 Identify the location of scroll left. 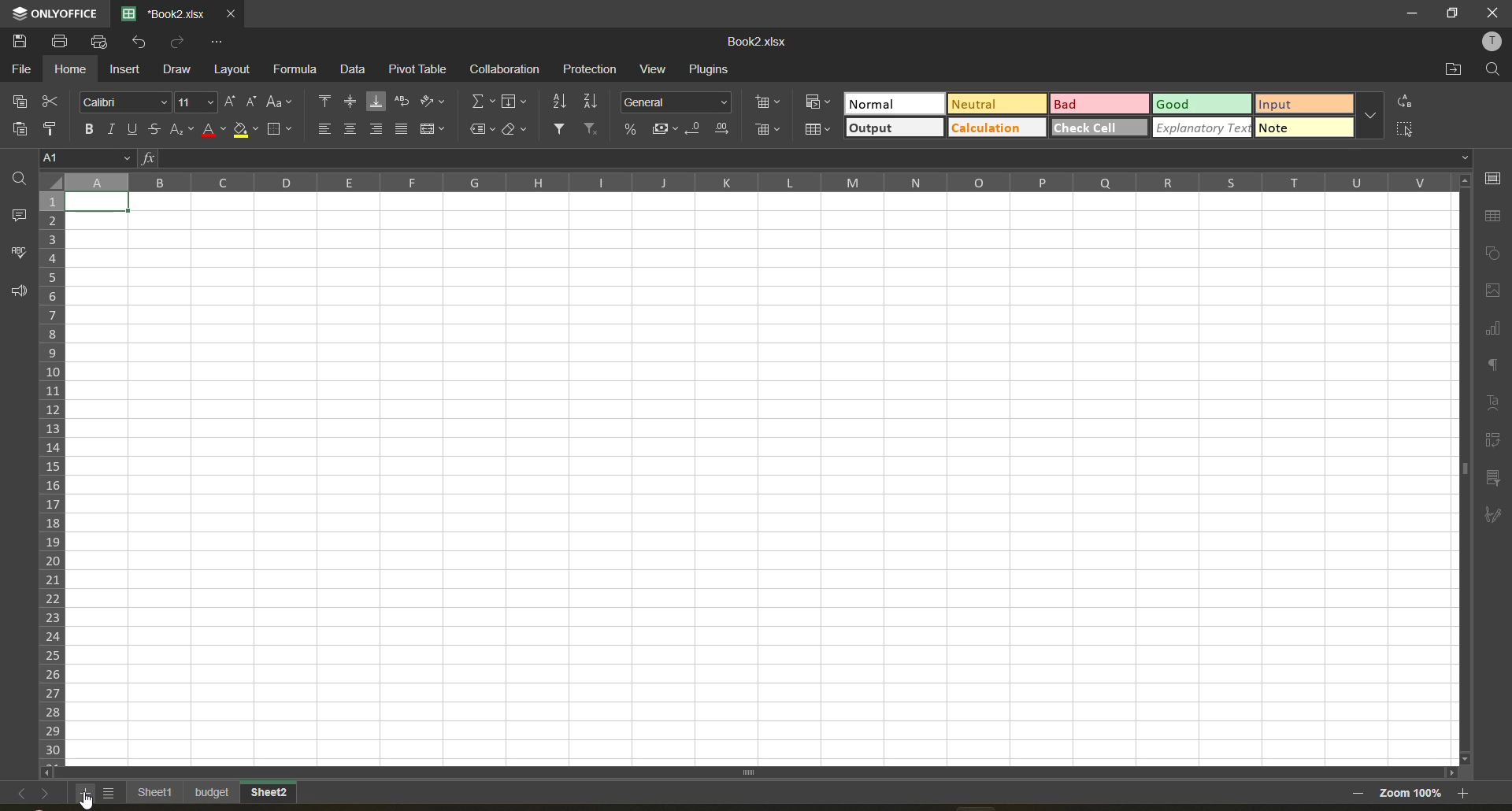
(46, 772).